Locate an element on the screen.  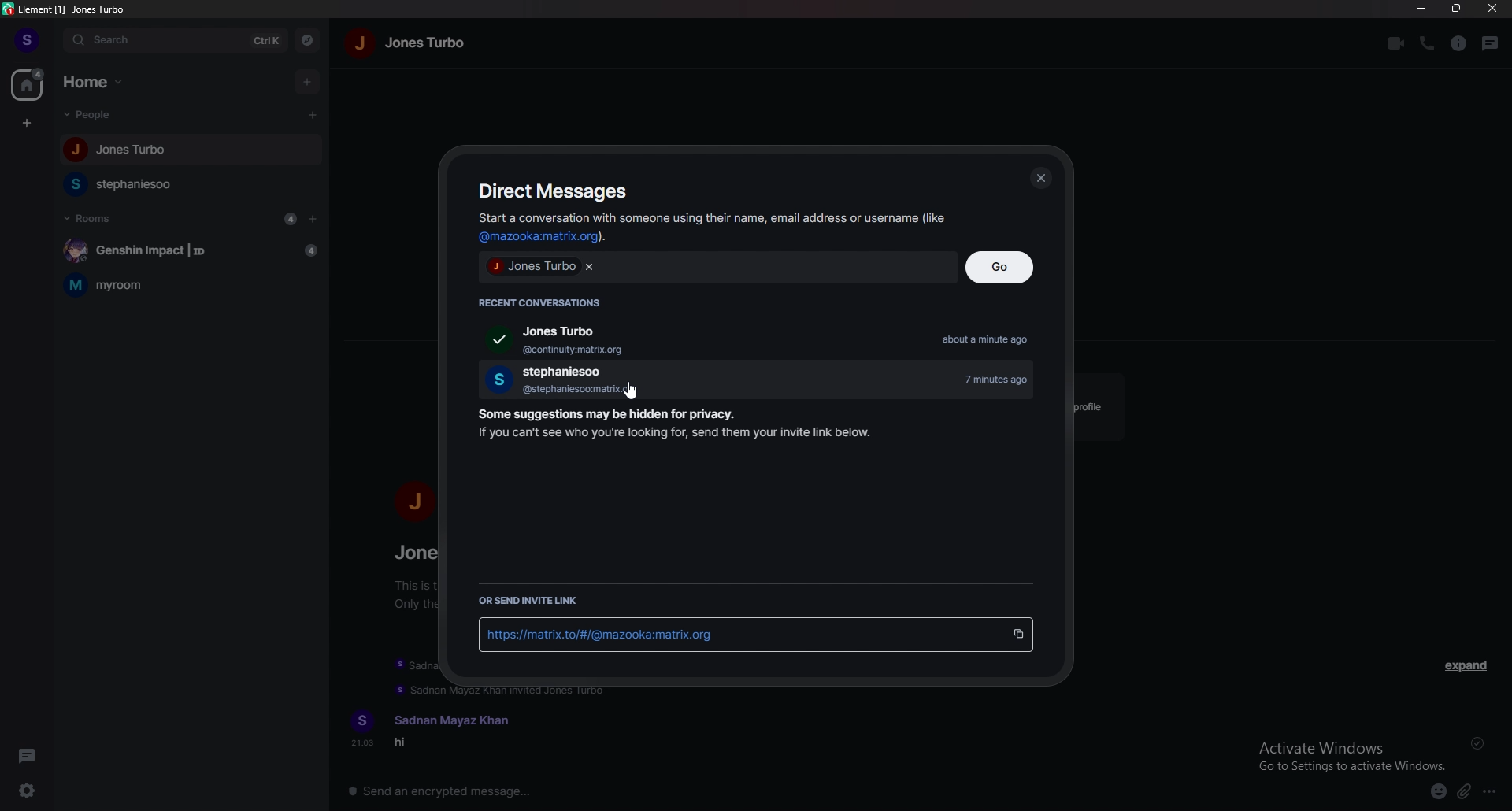
close is located at coordinates (1042, 179).